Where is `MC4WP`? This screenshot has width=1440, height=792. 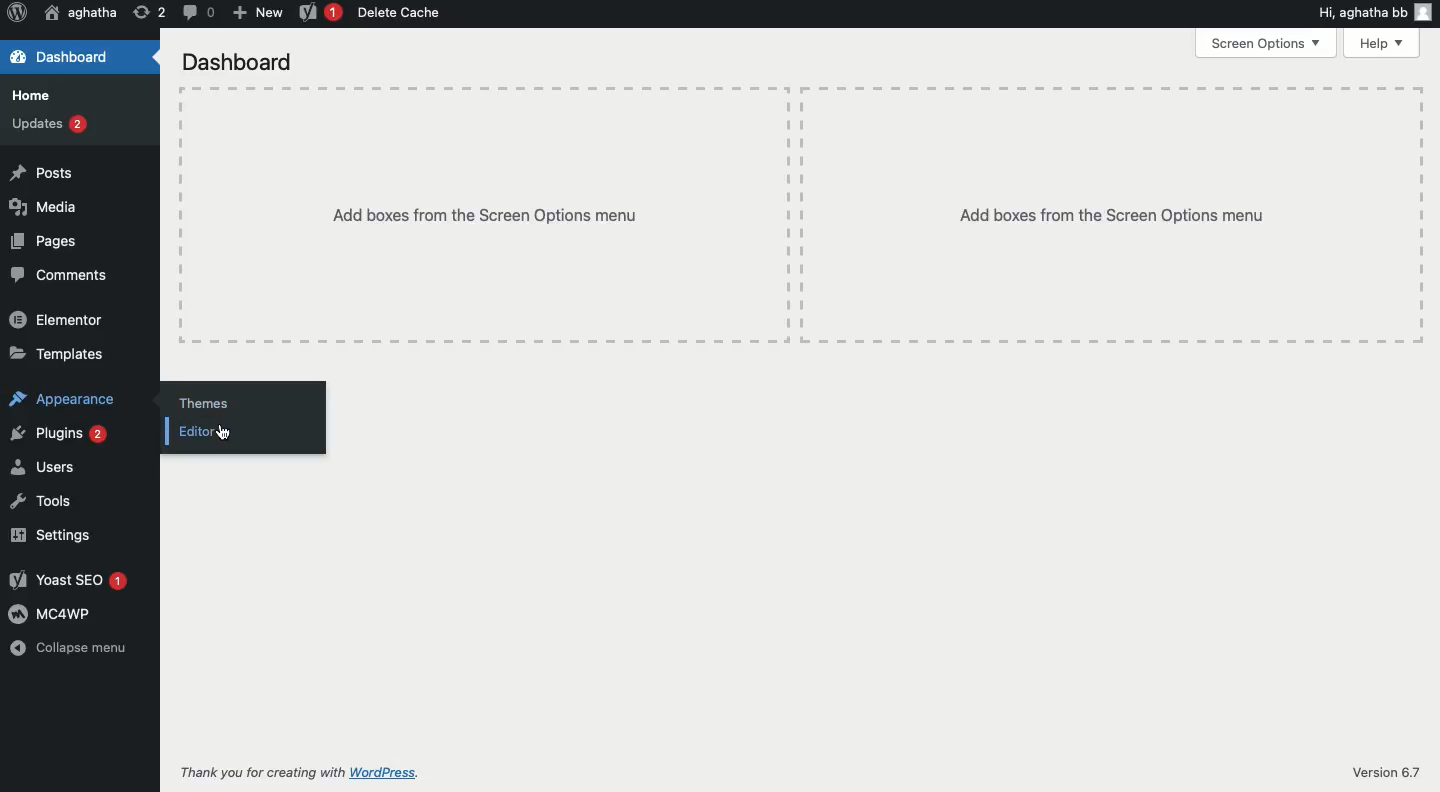
MC4WP is located at coordinates (53, 615).